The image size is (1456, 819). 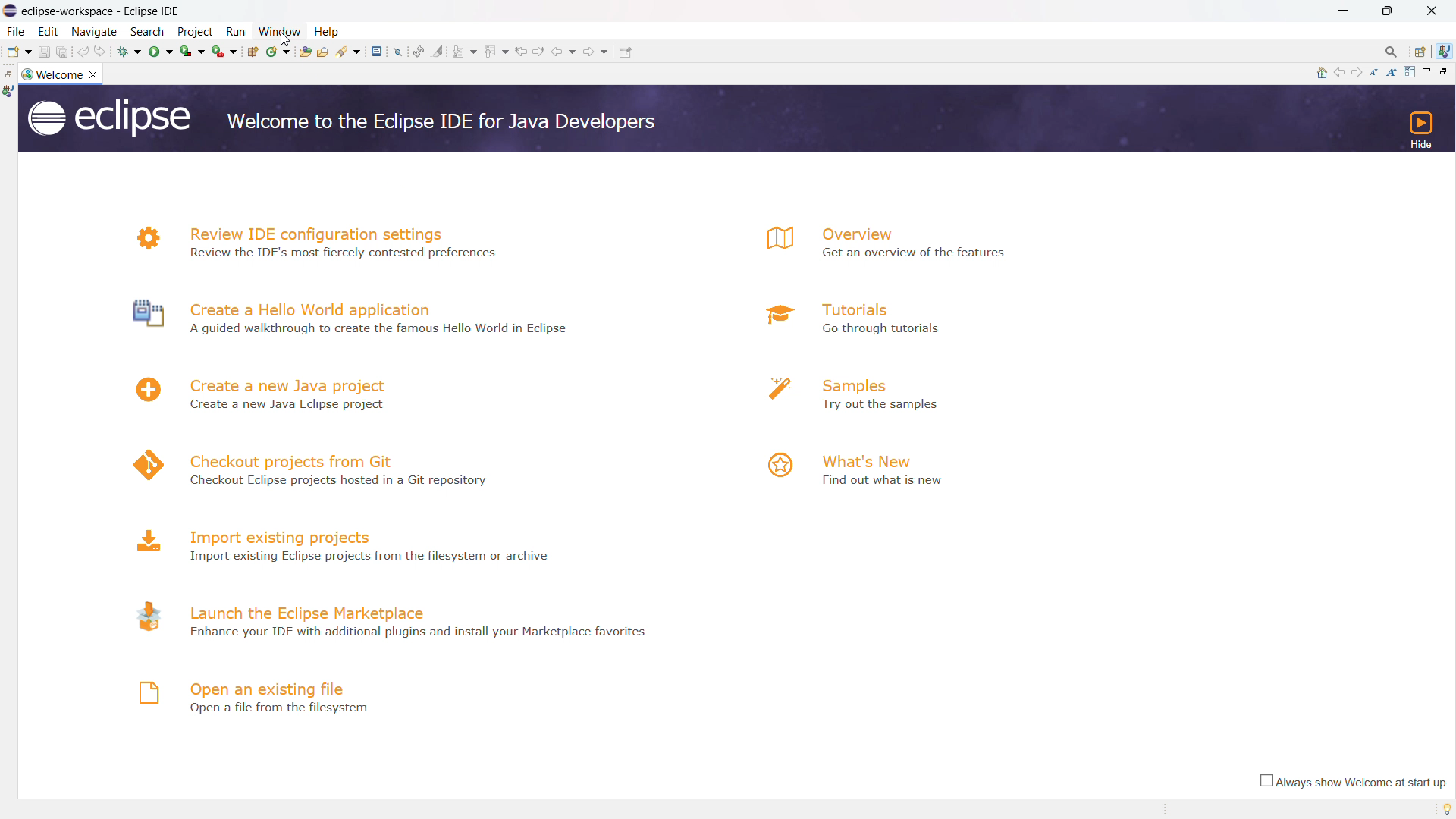 I want to click on run, so click(x=159, y=52).